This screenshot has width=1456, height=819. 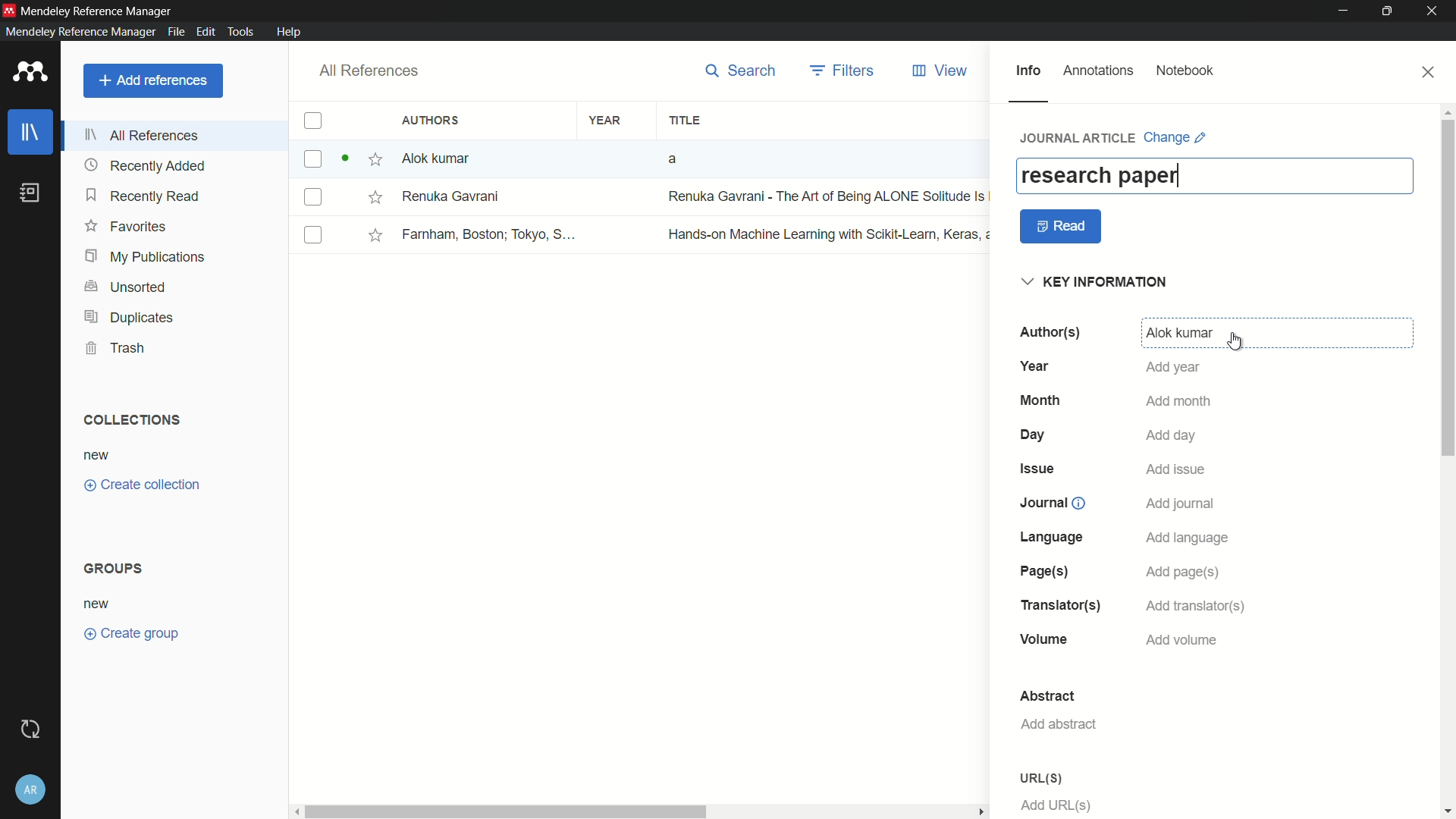 I want to click on notebook, so click(x=1185, y=71).